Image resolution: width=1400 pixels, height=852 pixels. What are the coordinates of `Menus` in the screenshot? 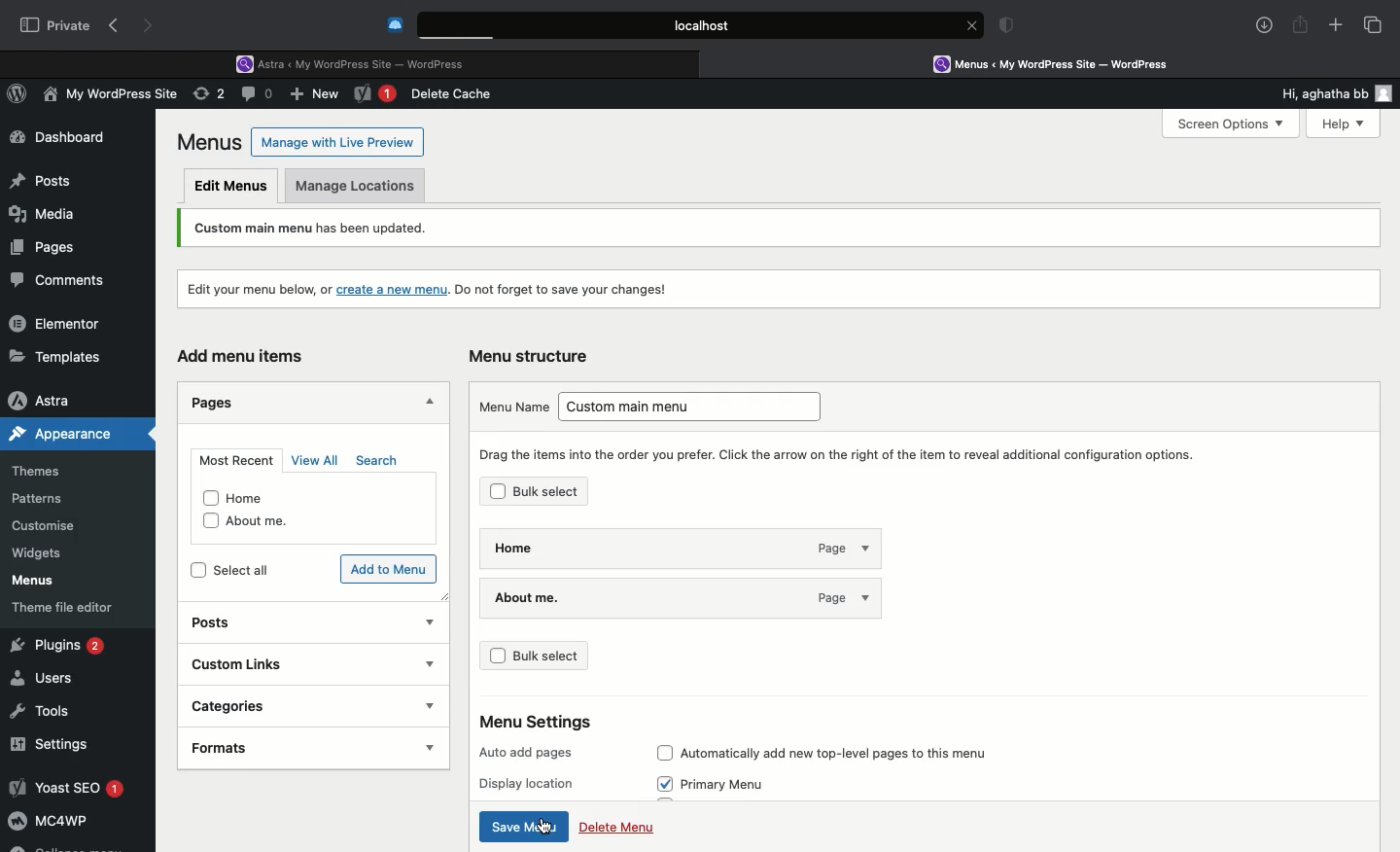 It's located at (211, 142).